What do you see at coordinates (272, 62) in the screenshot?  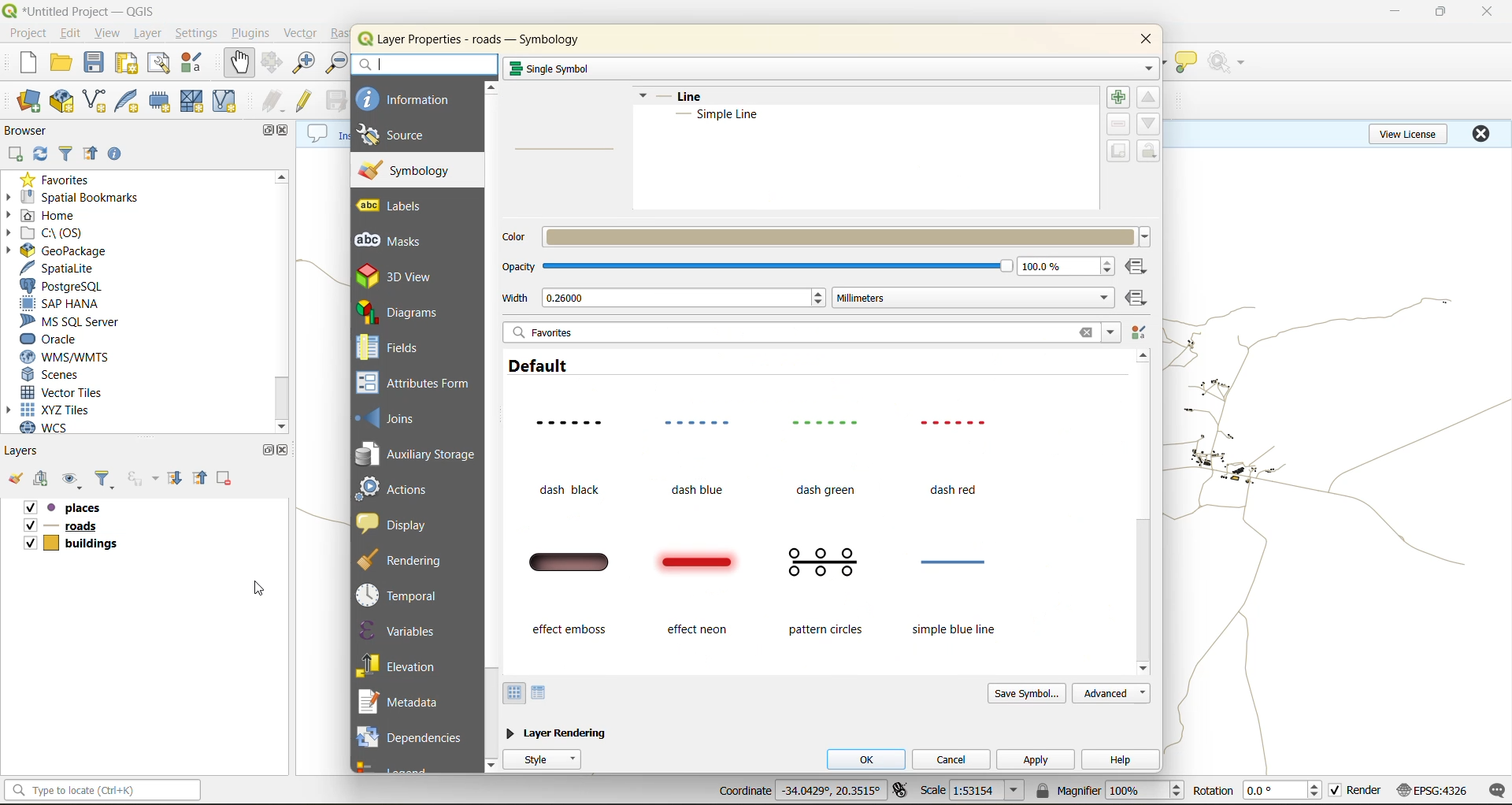 I see `pan selection` at bounding box center [272, 62].